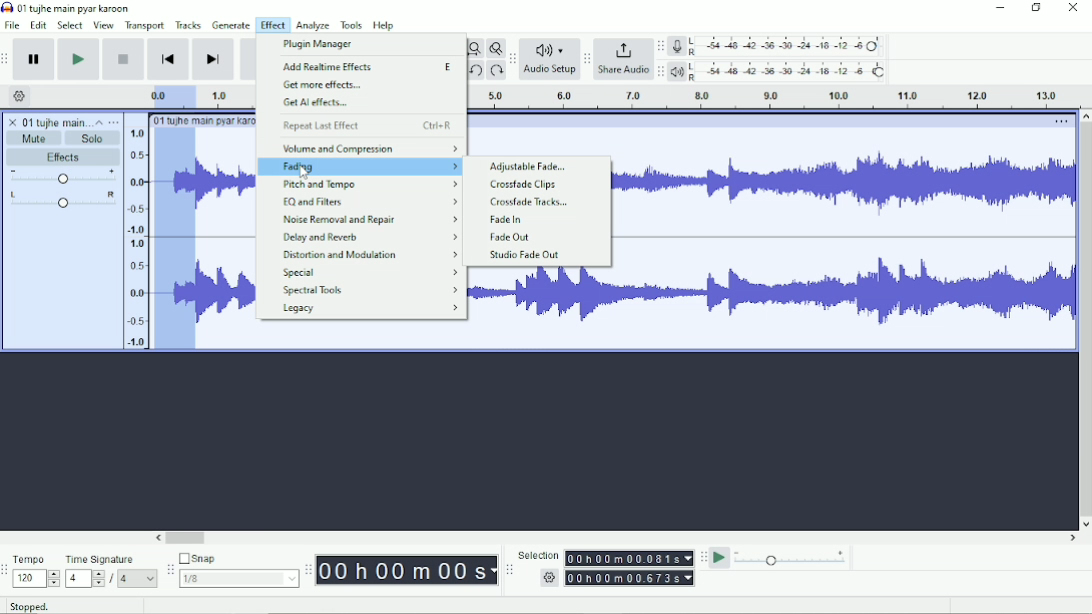 The image size is (1092, 614). What do you see at coordinates (110, 559) in the screenshot?
I see `Time Signature` at bounding box center [110, 559].